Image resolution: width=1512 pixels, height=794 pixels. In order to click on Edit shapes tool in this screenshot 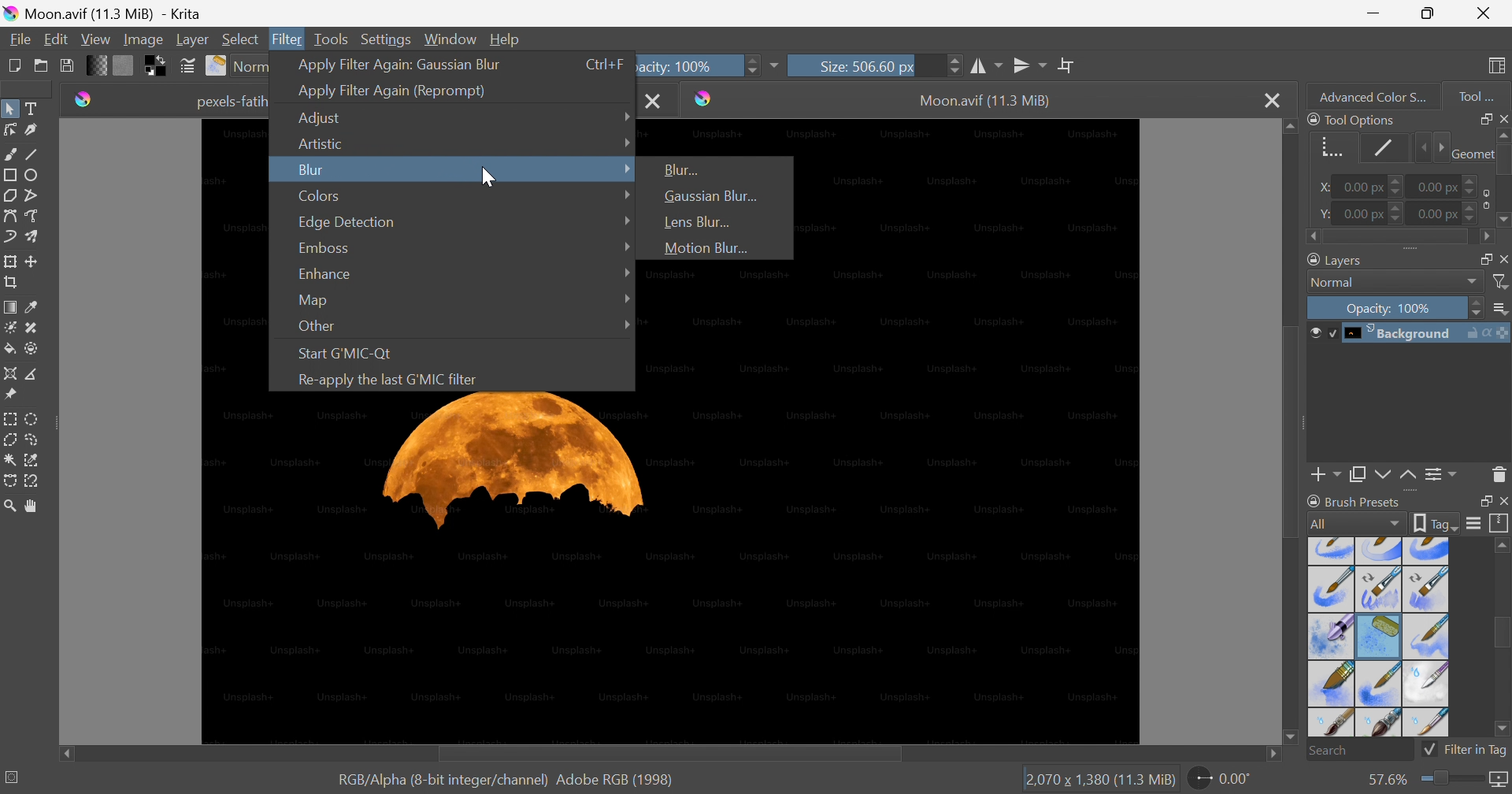, I will do `click(9, 129)`.